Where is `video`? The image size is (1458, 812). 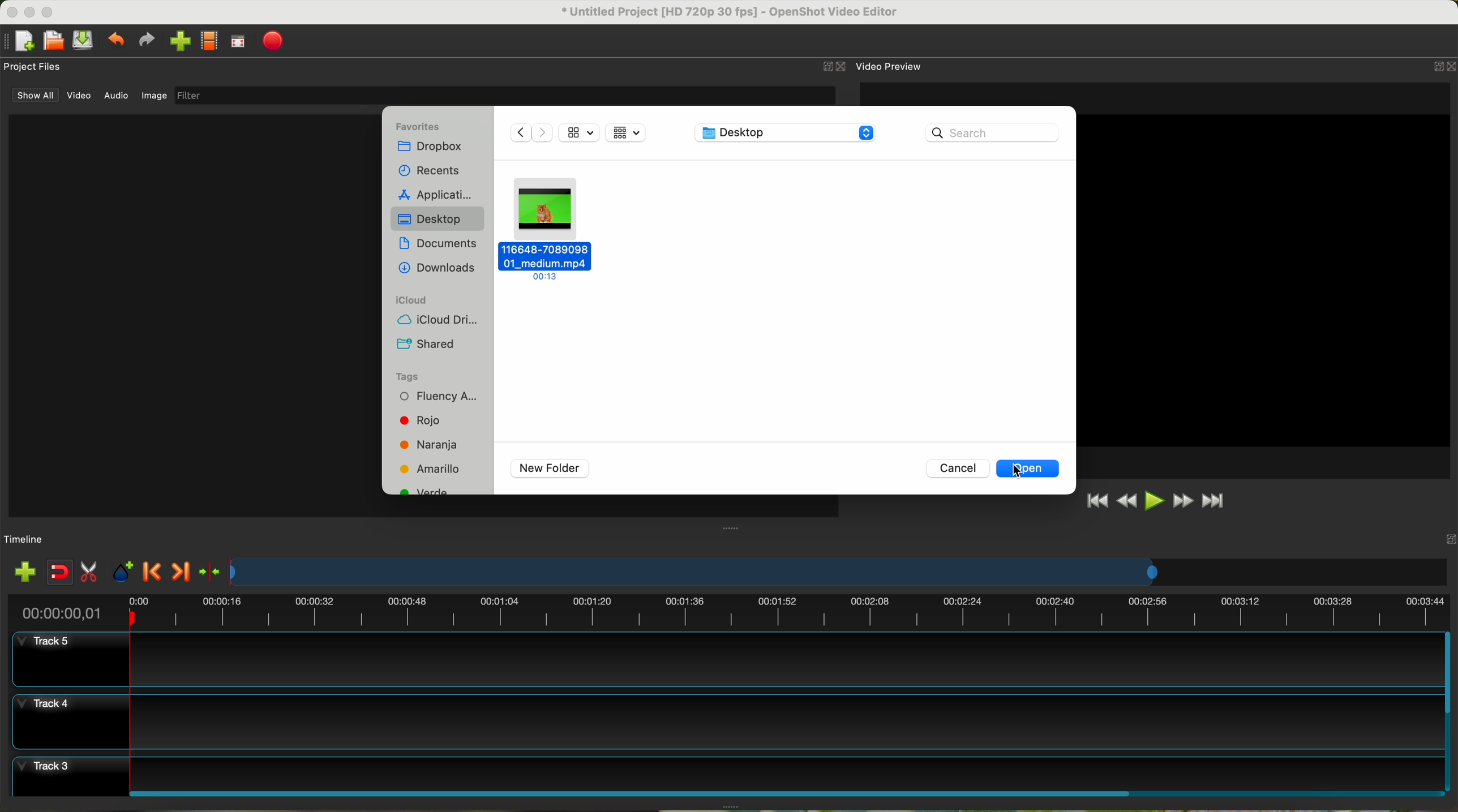 video is located at coordinates (80, 96).